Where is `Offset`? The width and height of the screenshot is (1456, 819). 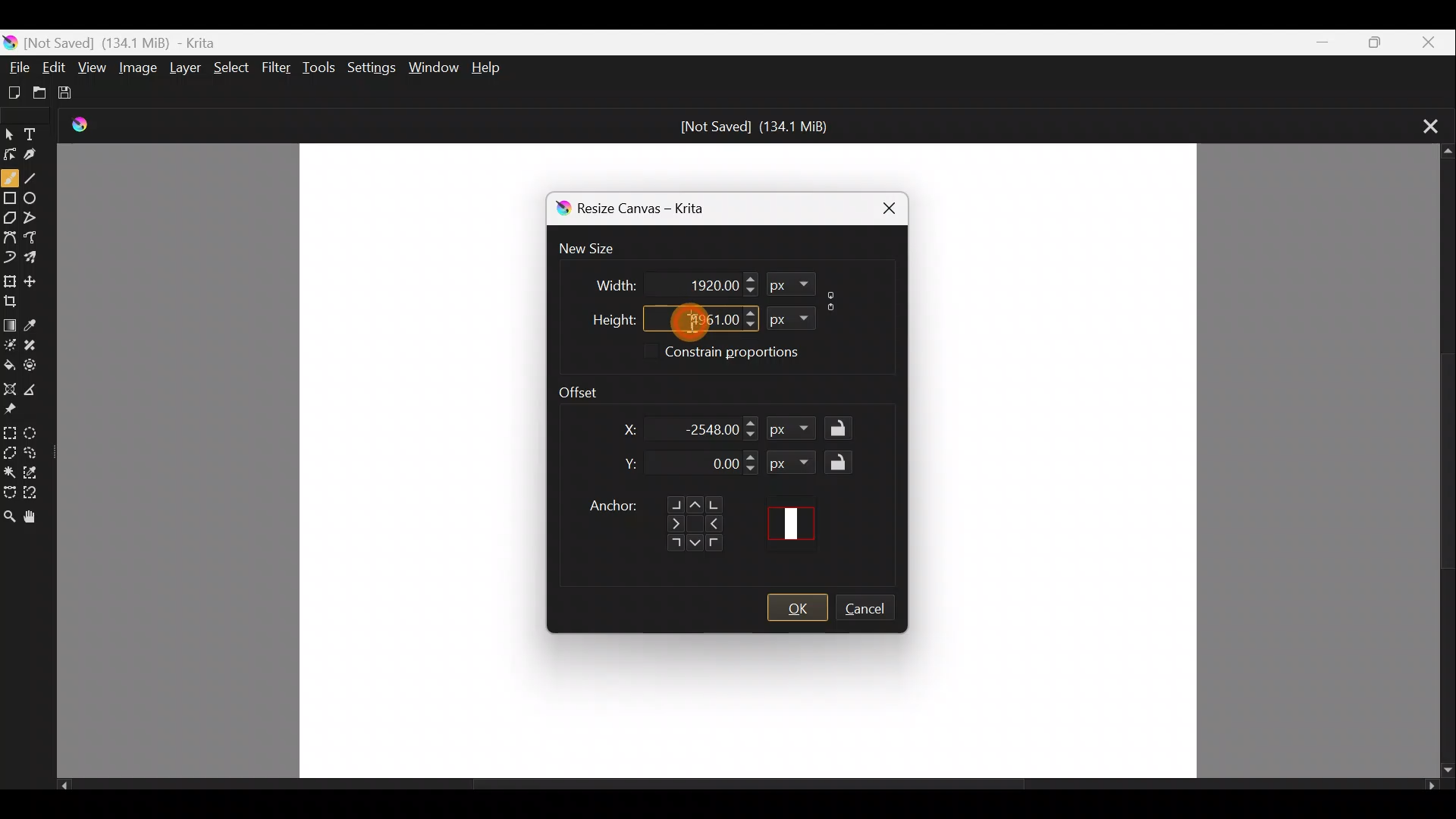 Offset is located at coordinates (588, 388).